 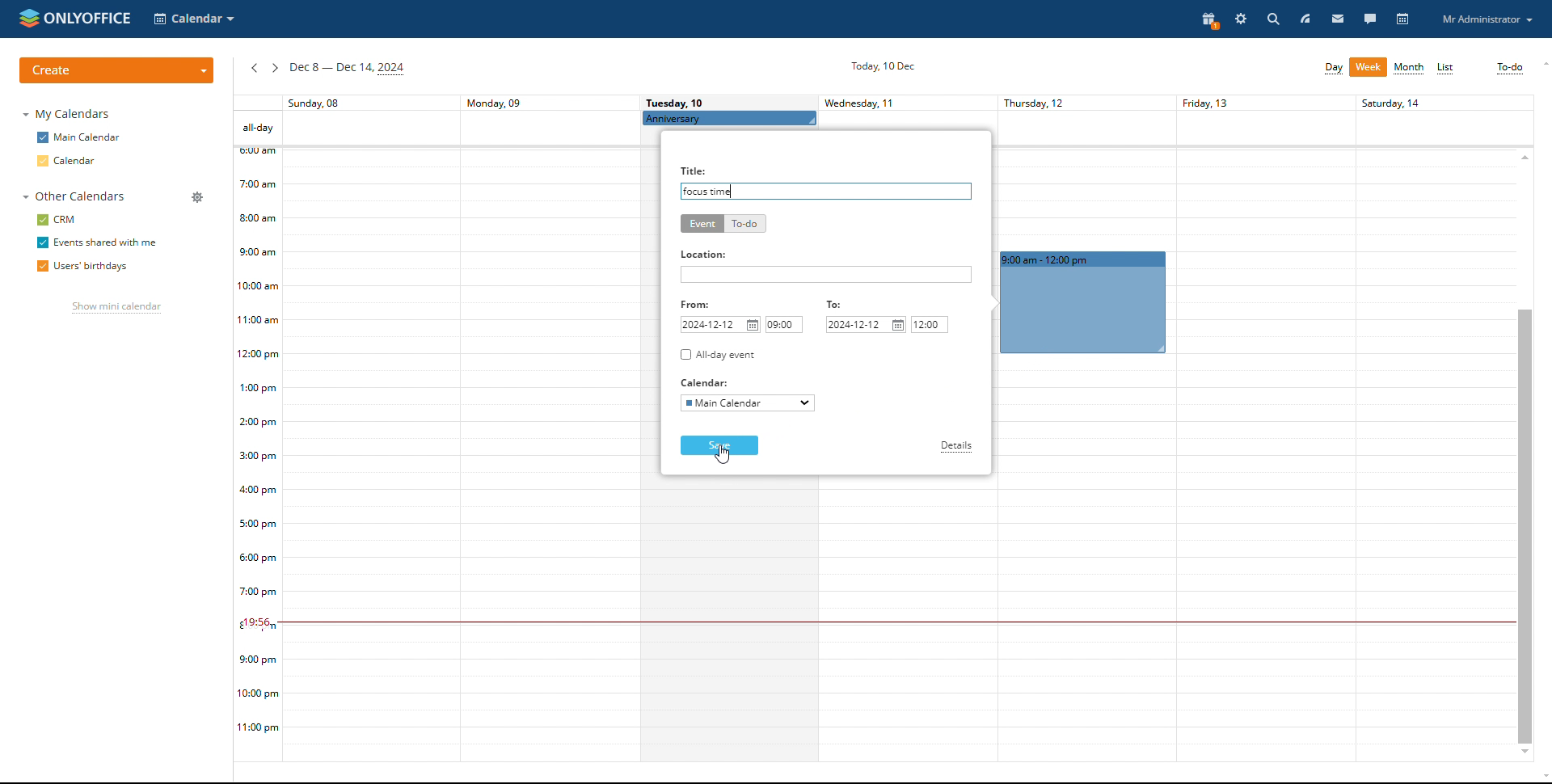 I want to click on main calendar, so click(x=90, y=138).